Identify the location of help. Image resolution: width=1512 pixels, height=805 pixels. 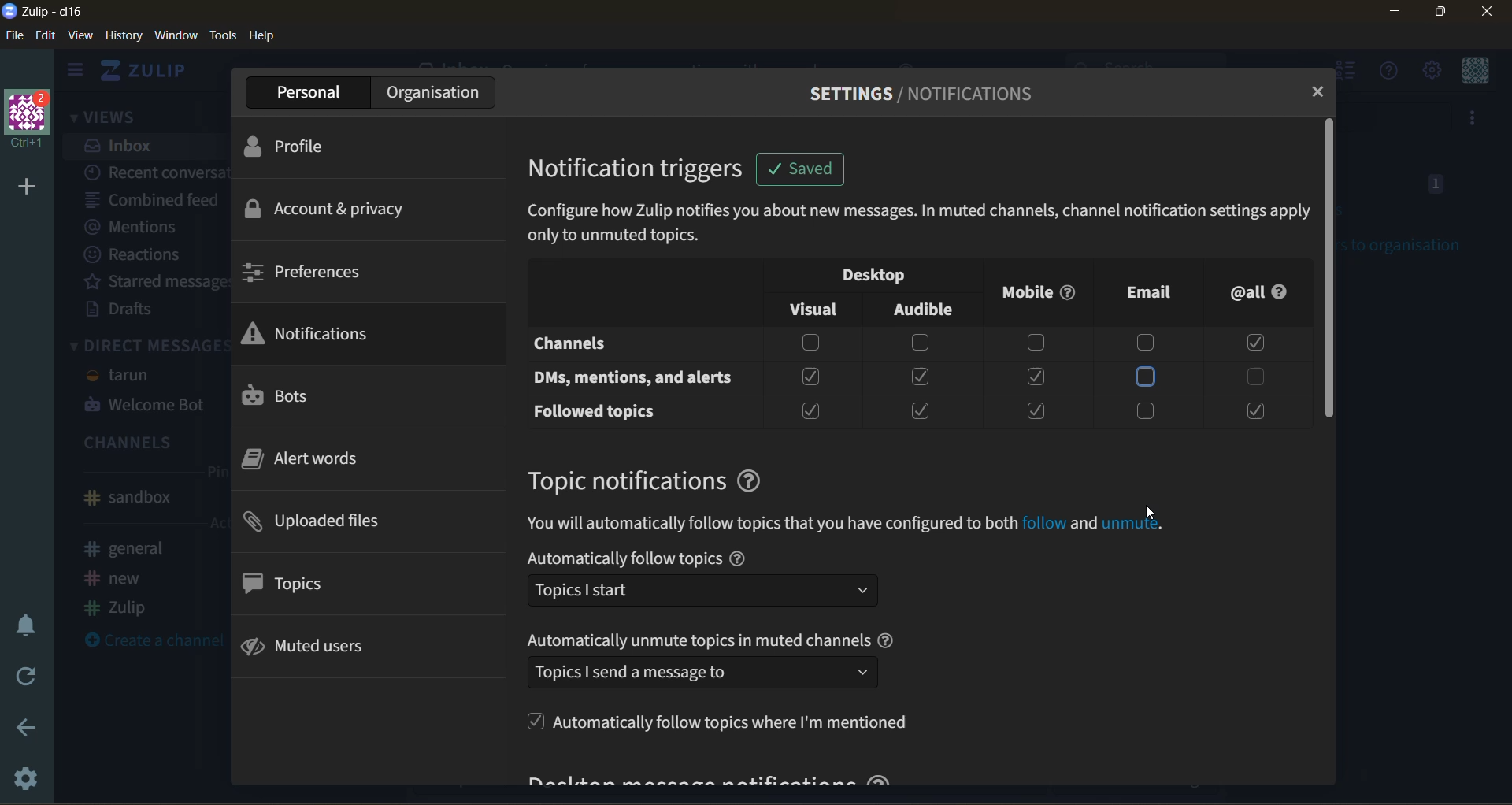
(269, 37).